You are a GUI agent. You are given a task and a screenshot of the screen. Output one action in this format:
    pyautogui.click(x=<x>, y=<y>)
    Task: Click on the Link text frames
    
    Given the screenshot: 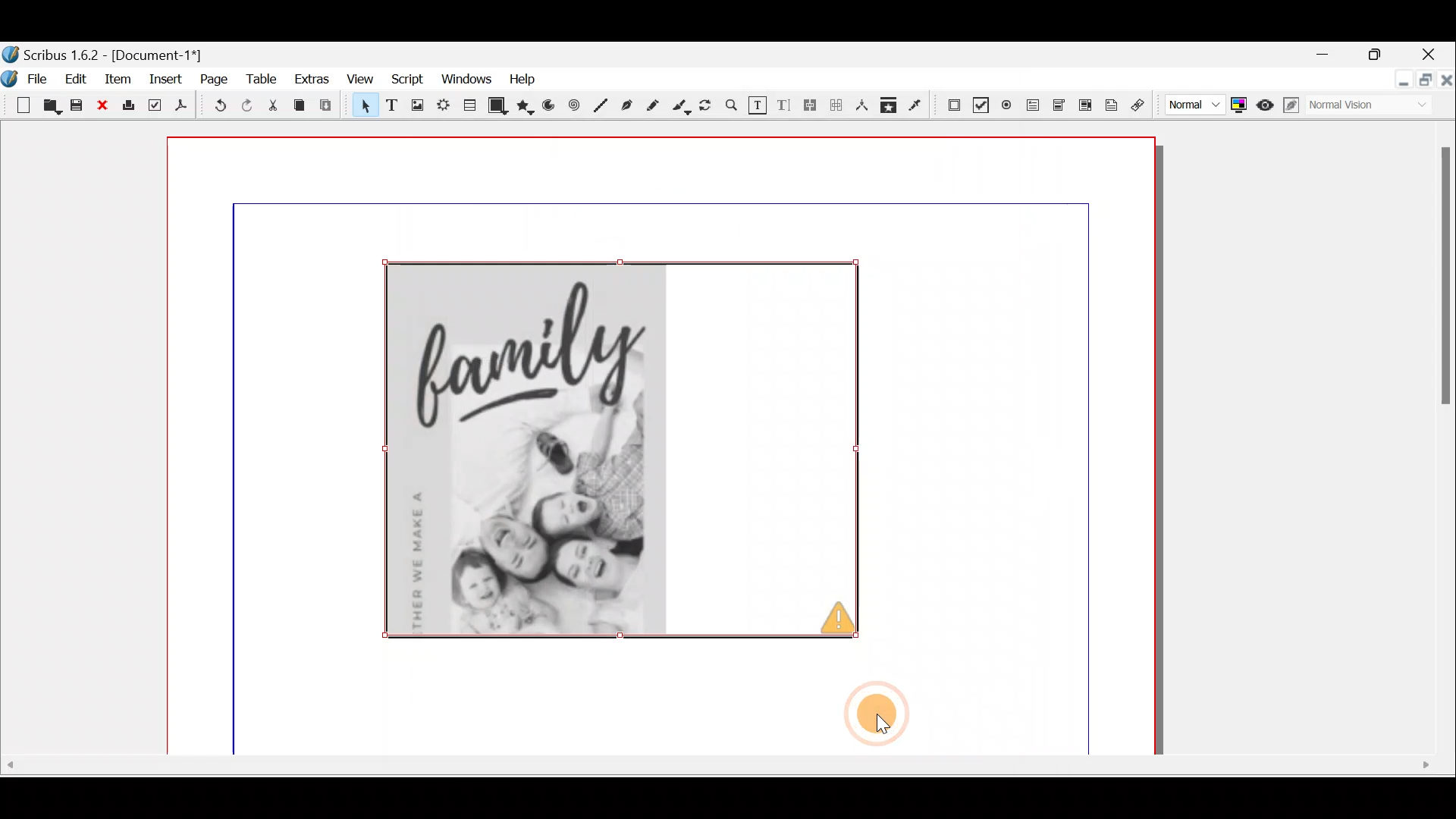 What is the action you would take?
    pyautogui.click(x=811, y=104)
    